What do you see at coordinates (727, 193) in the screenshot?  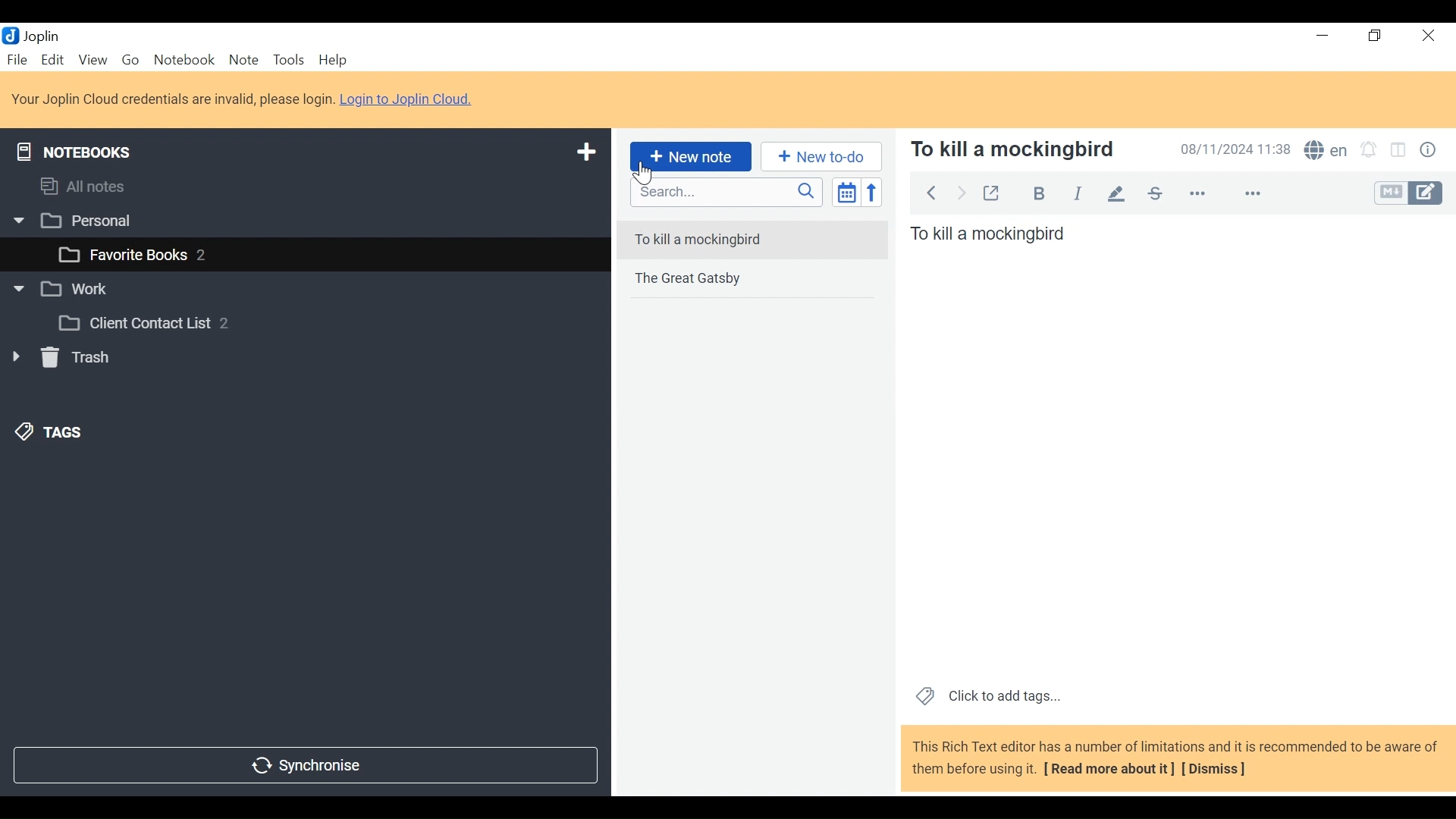 I see `Search` at bounding box center [727, 193].